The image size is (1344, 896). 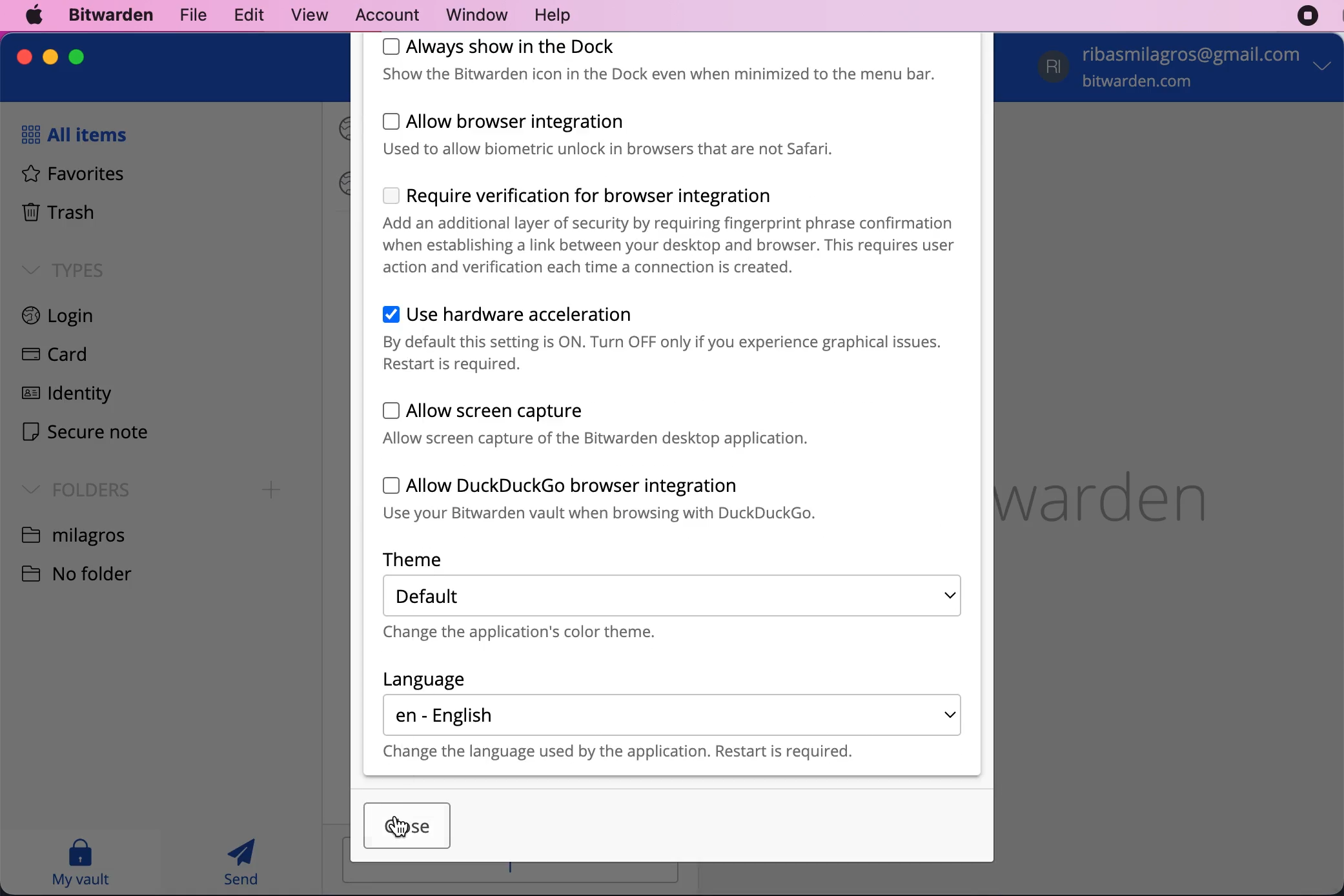 I want to click on mac logo, so click(x=36, y=15).